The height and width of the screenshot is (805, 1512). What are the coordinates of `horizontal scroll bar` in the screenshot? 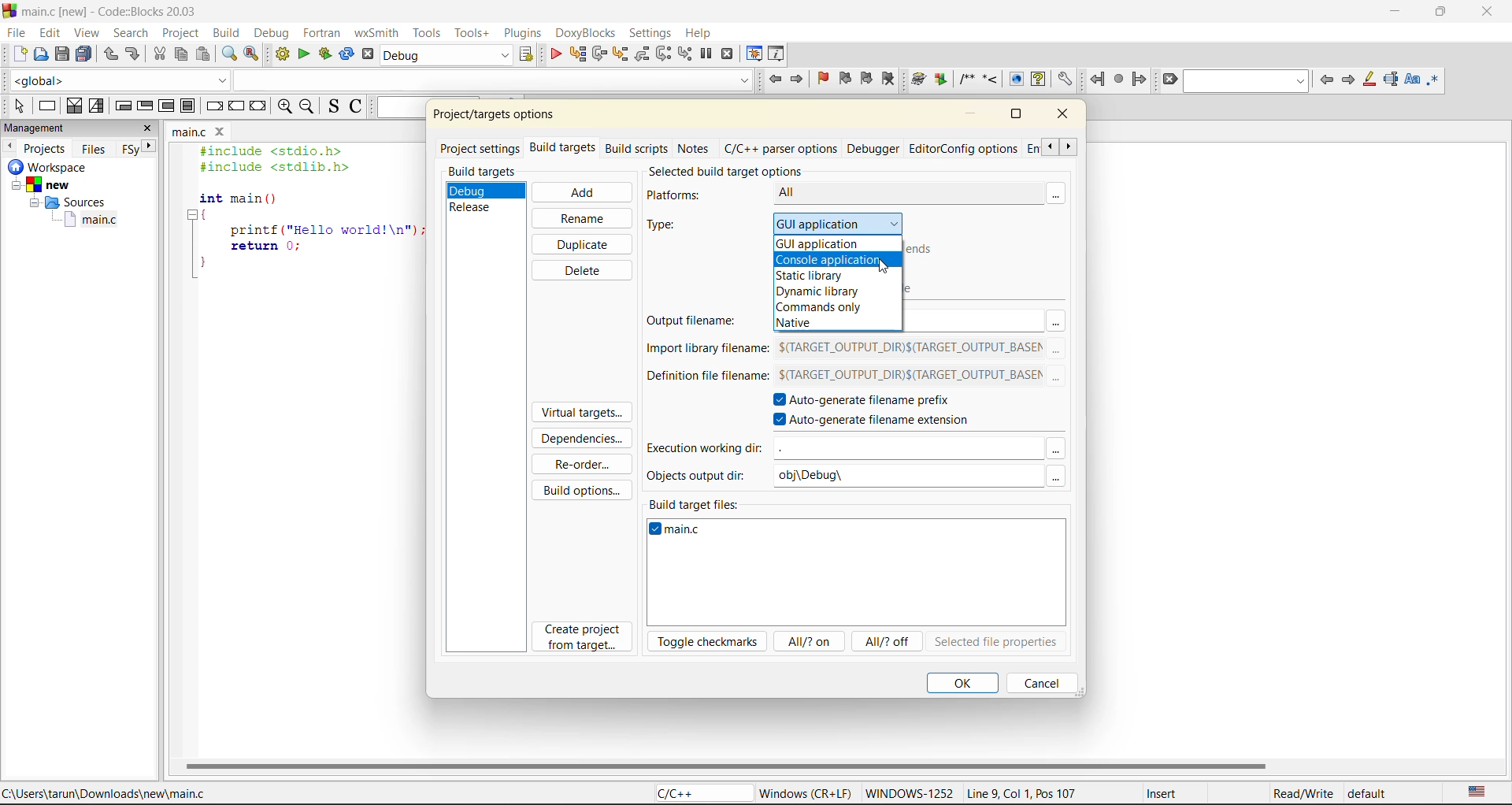 It's located at (727, 765).